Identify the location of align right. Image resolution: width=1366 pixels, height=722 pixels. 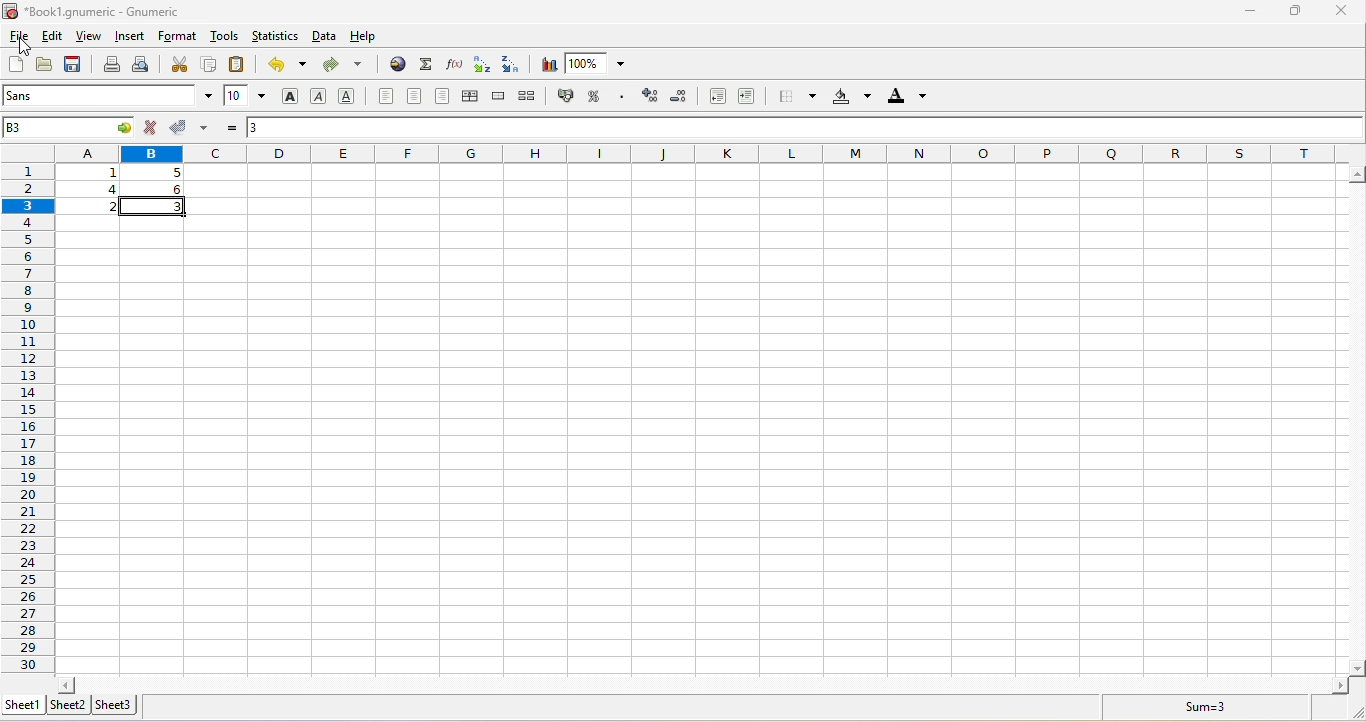
(443, 97).